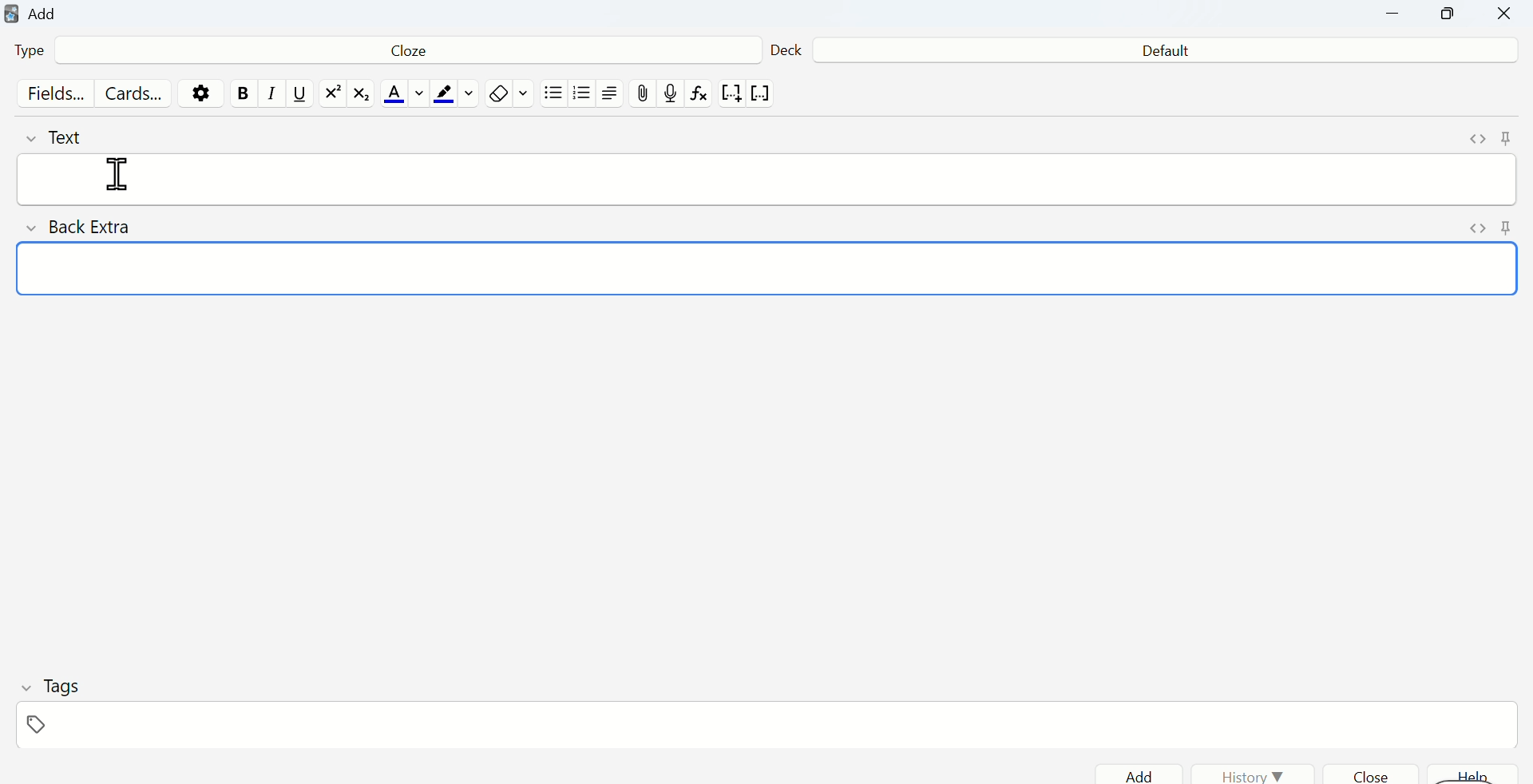 The width and height of the screenshot is (1533, 784). What do you see at coordinates (332, 94) in the screenshot?
I see `exponential` at bounding box center [332, 94].